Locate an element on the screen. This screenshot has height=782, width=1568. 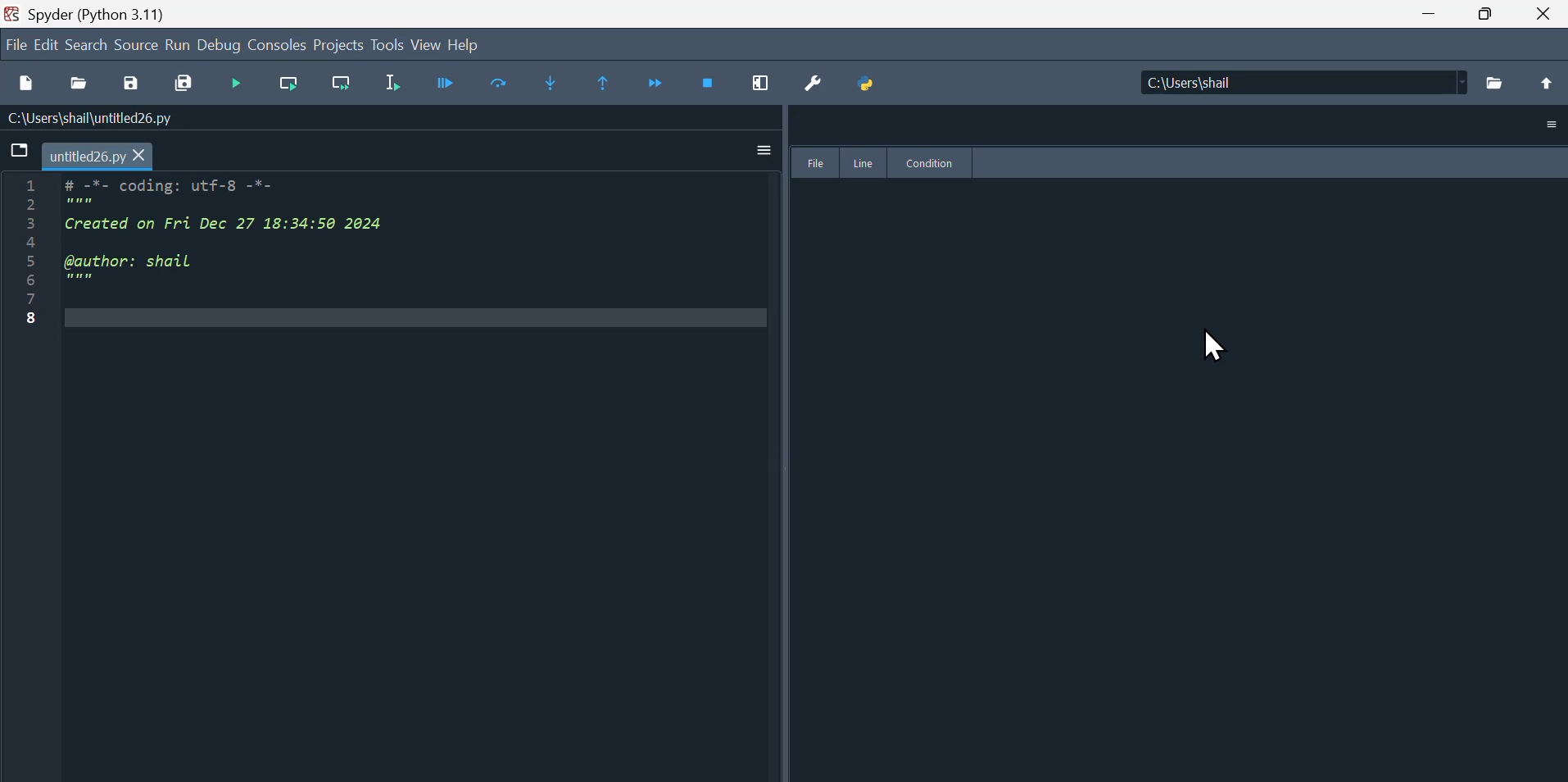
Debug is located at coordinates (222, 47).